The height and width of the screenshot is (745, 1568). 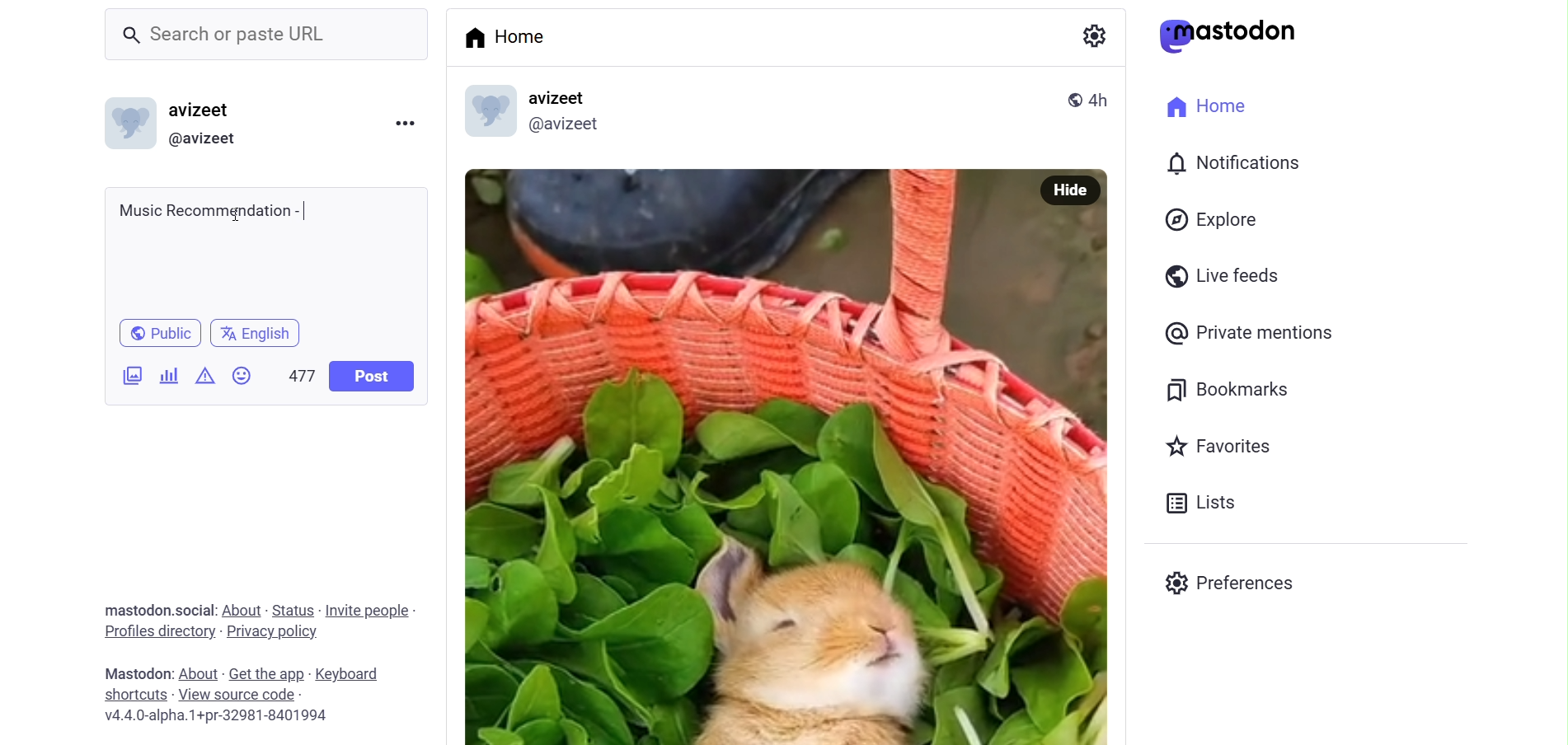 I want to click on Setting, so click(x=1094, y=35).